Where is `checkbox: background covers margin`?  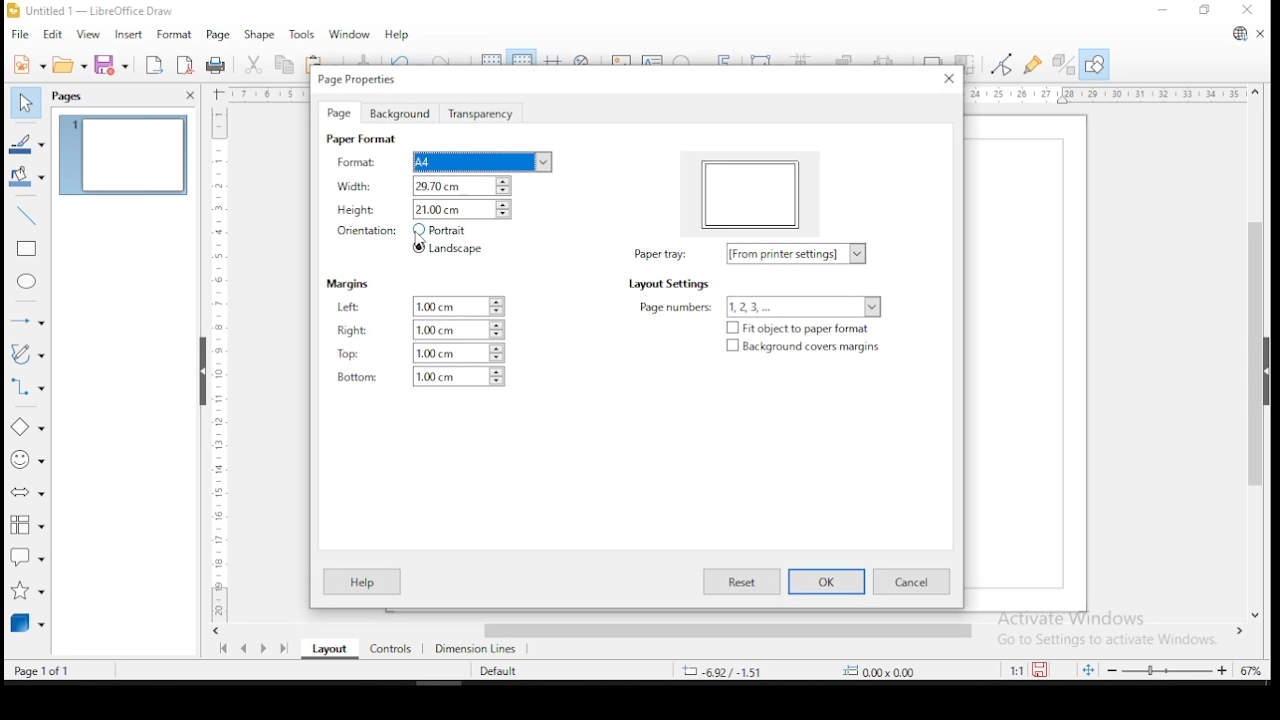
checkbox: background covers margin is located at coordinates (804, 347).